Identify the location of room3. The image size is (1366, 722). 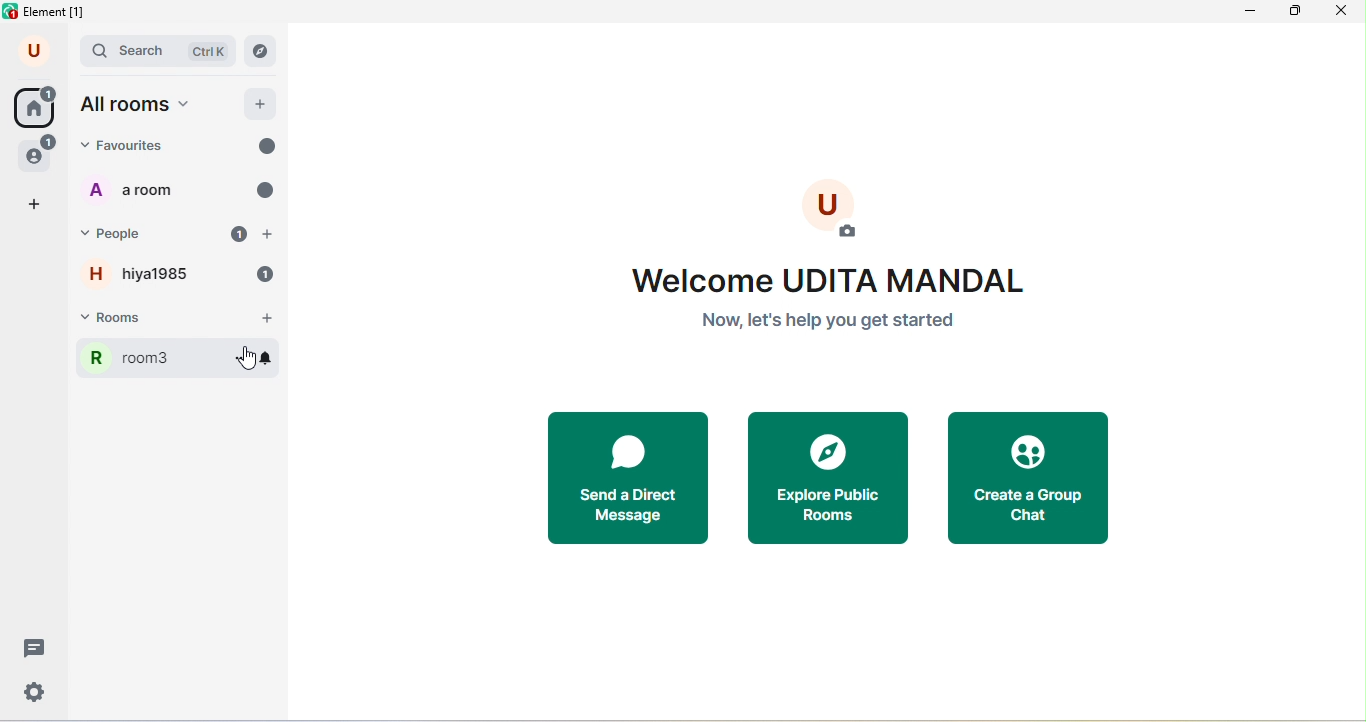
(150, 358).